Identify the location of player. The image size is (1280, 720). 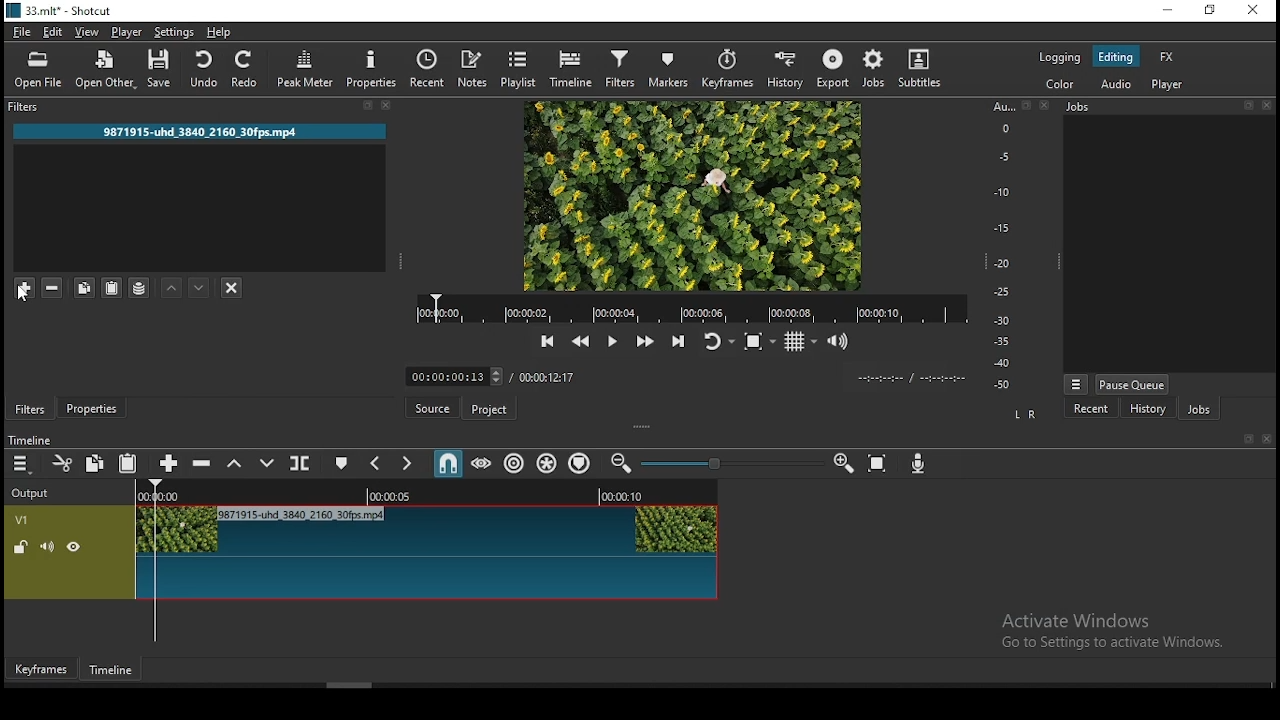
(1164, 84).